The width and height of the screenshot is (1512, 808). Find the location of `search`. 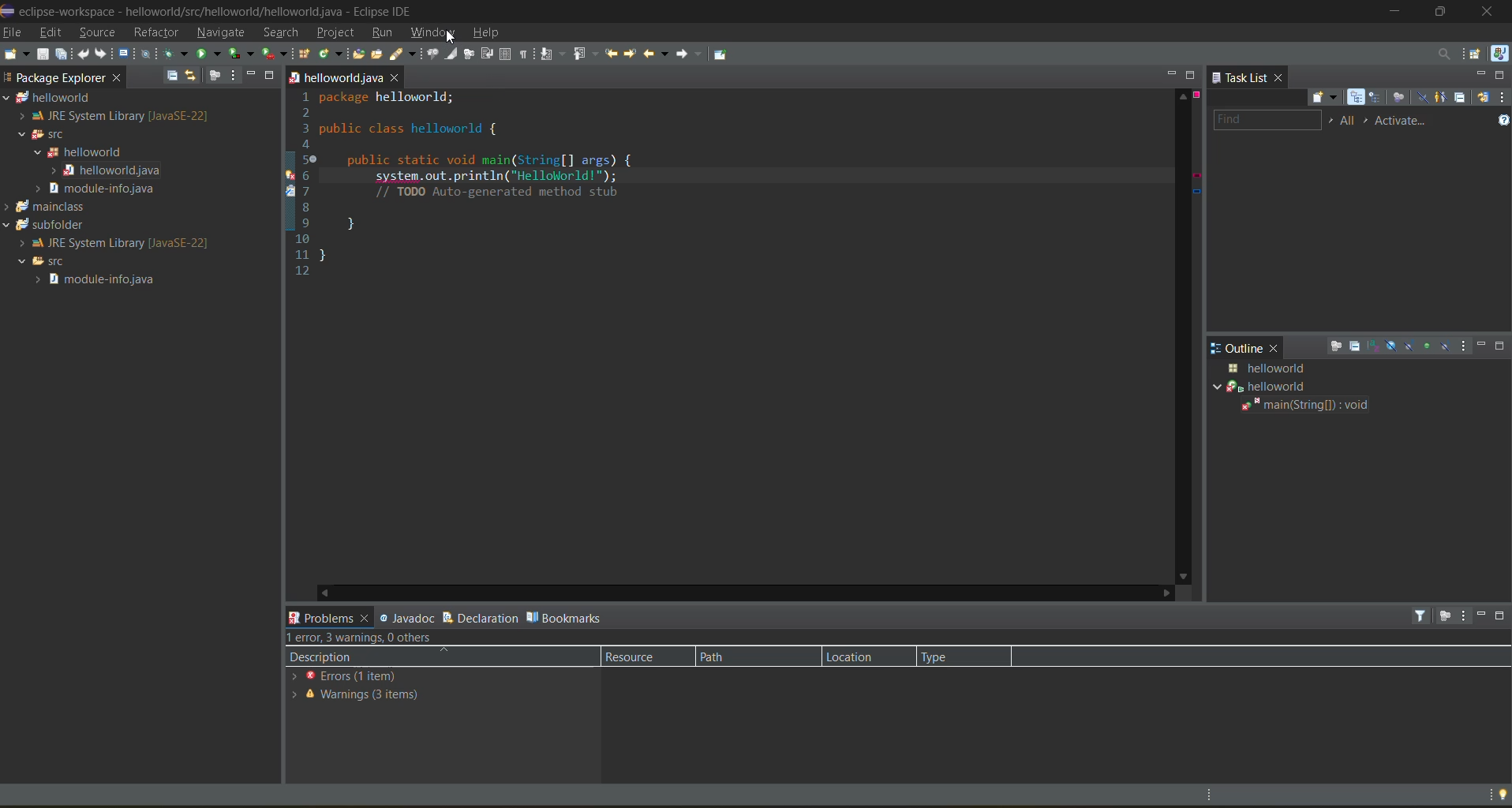

search is located at coordinates (405, 55).